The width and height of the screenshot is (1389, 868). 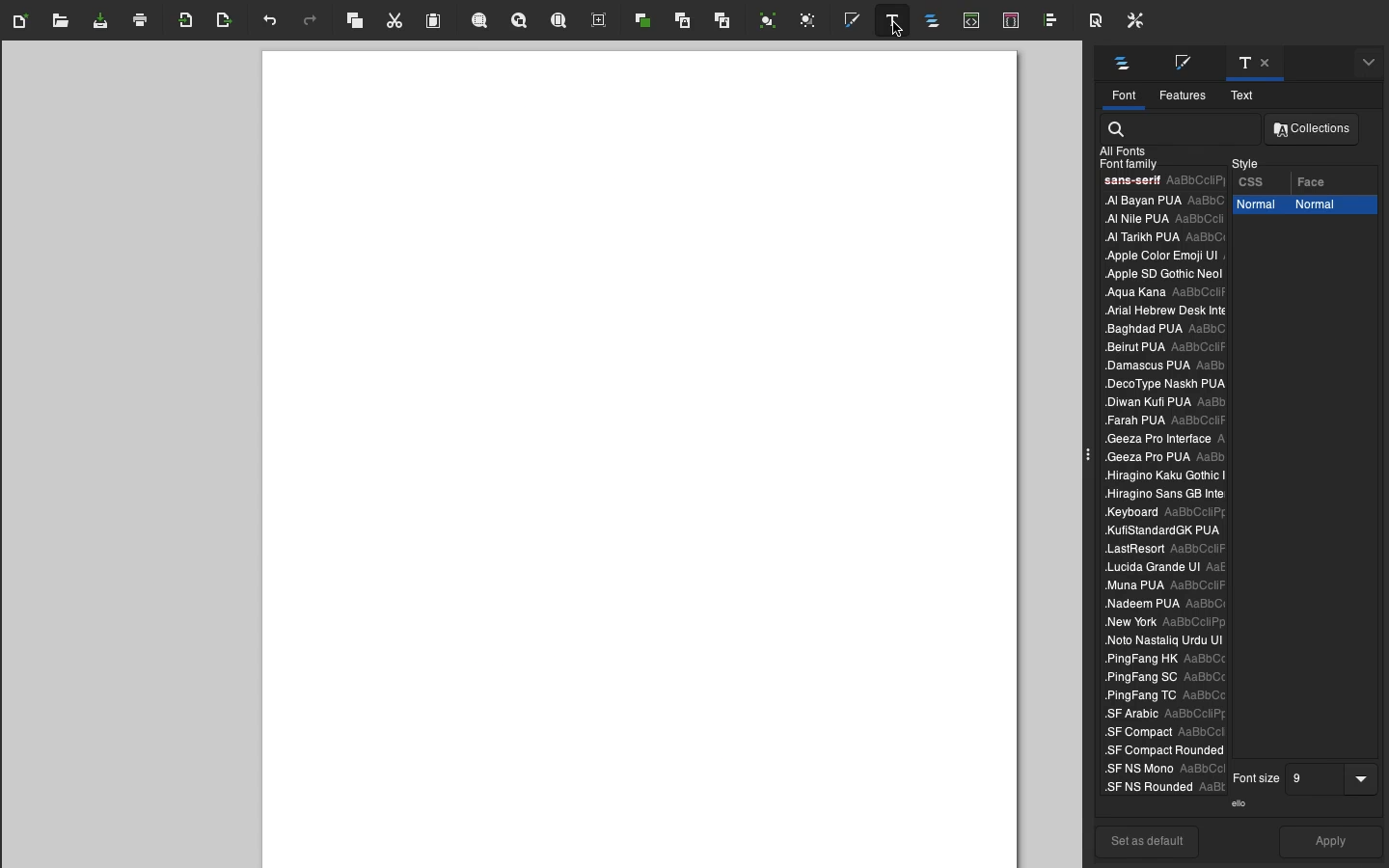 What do you see at coordinates (1366, 66) in the screenshot?
I see `Dropdown` at bounding box center [1366, 66].